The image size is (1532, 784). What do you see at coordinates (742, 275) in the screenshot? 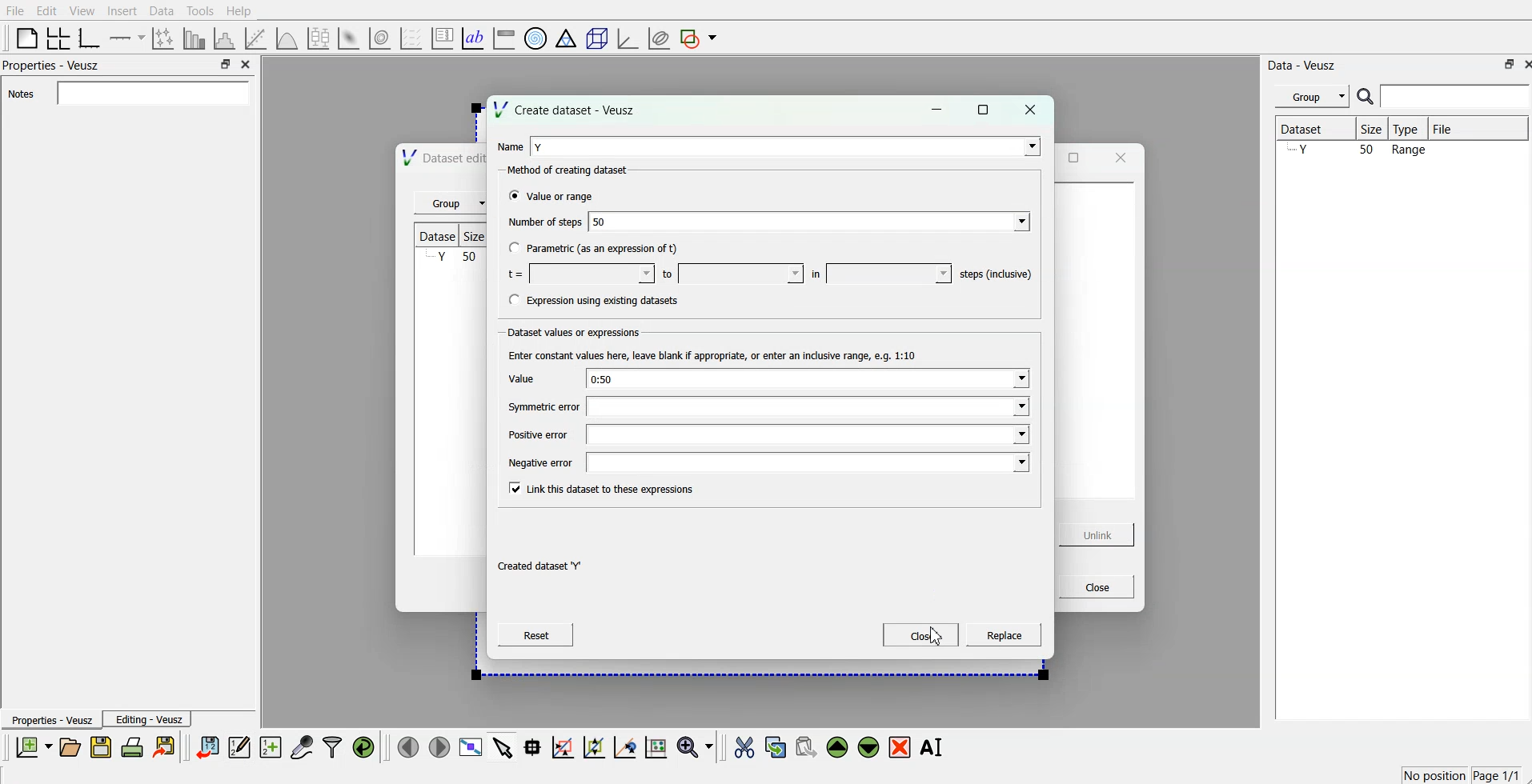
I see `max t value field` at bounding box center [742, 275].